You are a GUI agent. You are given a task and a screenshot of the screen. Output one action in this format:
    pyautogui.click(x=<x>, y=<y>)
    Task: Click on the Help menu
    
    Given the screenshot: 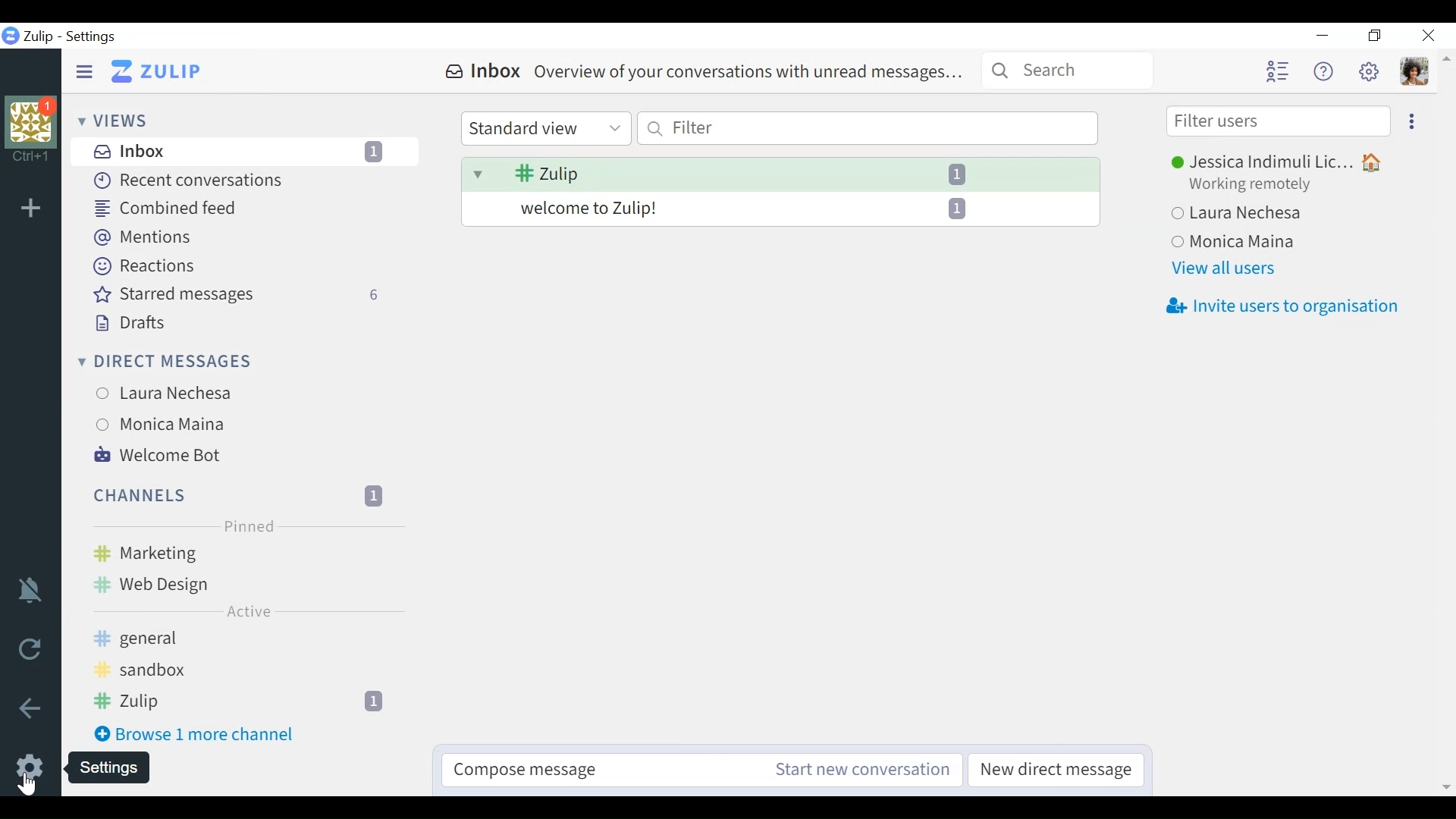 What is the action you would take?
    pyautogui.click(x=1323, y=70)
    